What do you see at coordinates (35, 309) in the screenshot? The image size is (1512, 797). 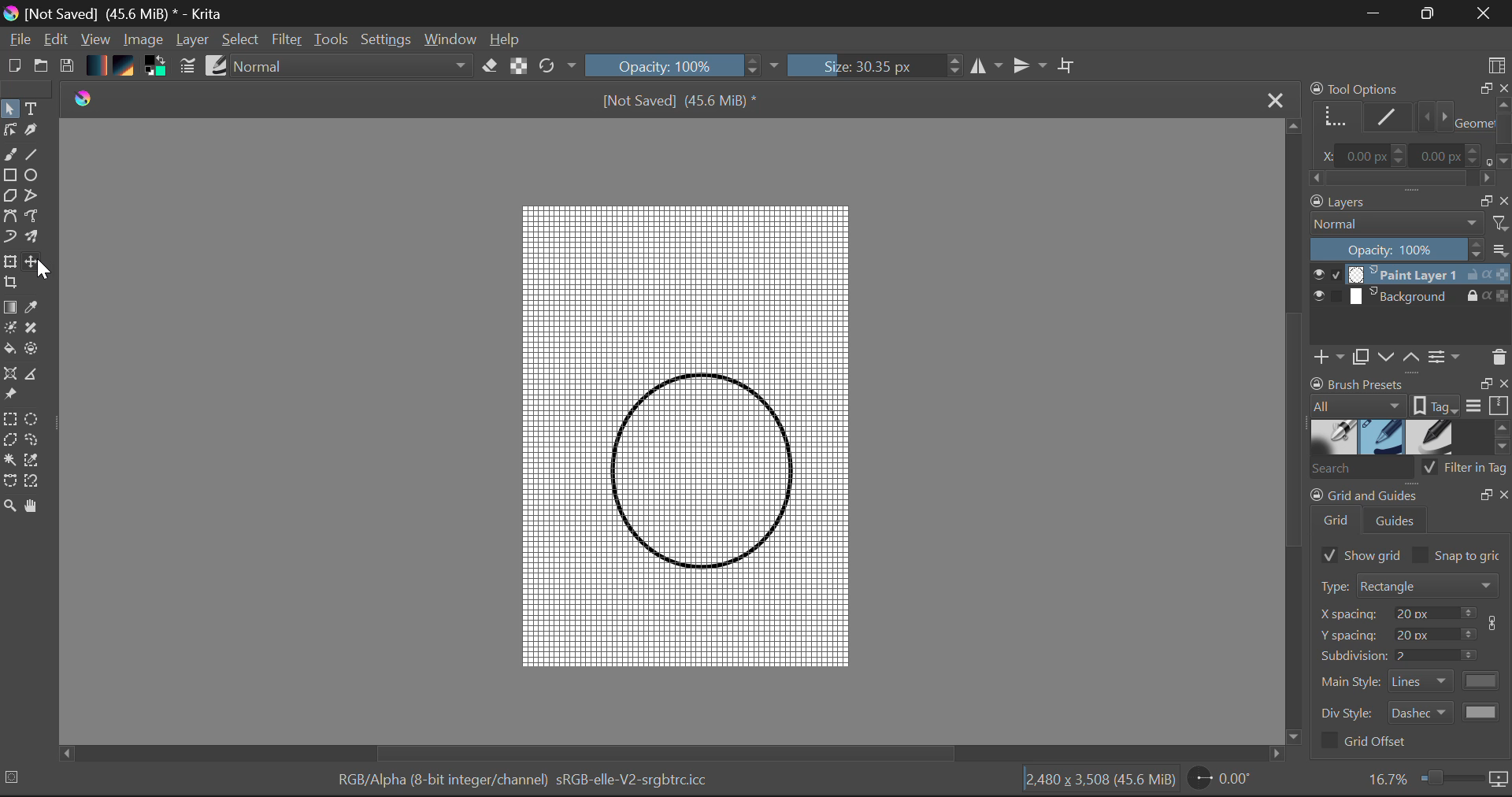 I see `Eyedropper` at bounding box center [35, 309].